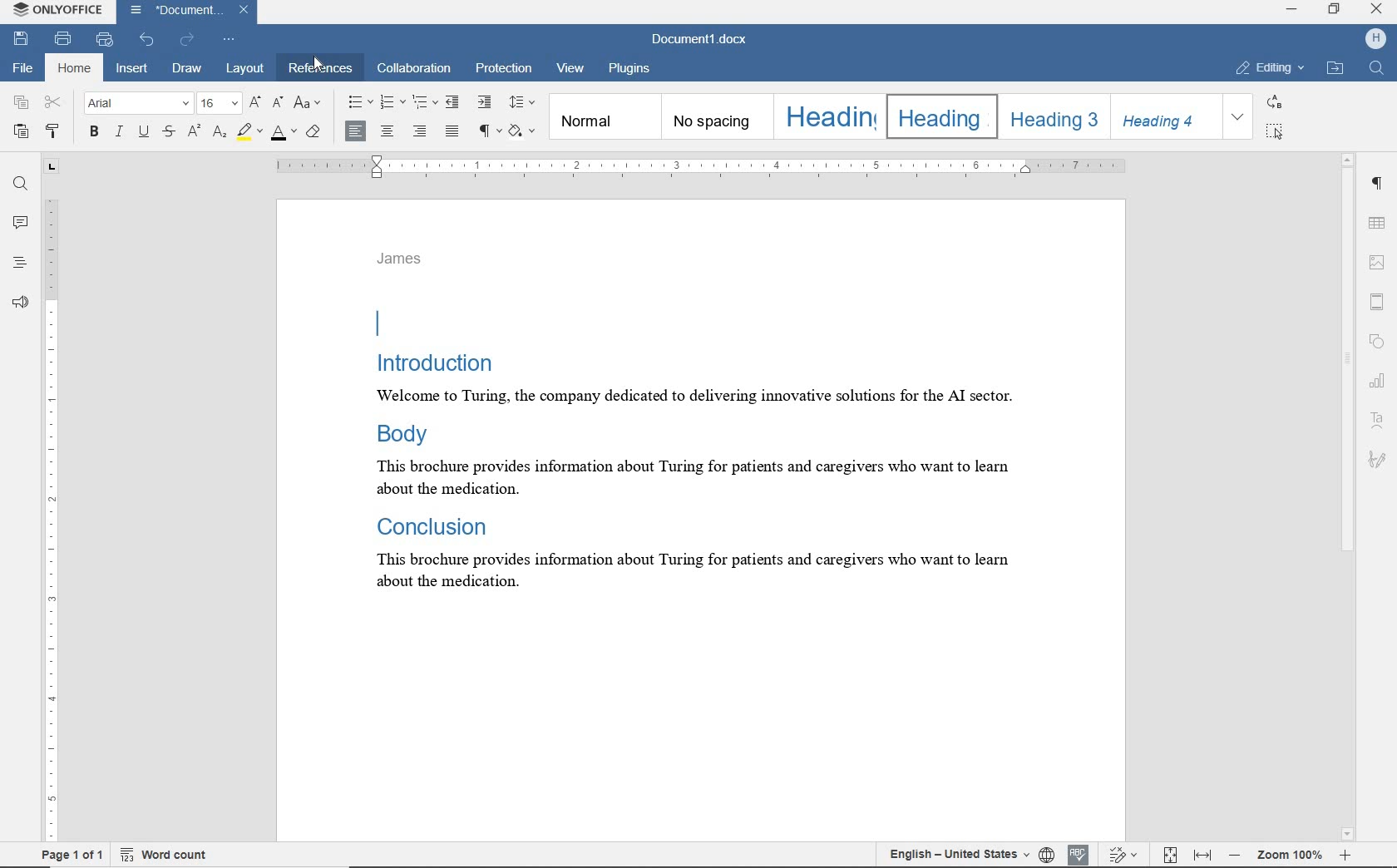 The width and height of the screenshot is (1397, 868). What do you see at coordinates (1350, 496) in the screenshot?
I see `scrollbar` at bounding box center [1350, 496].